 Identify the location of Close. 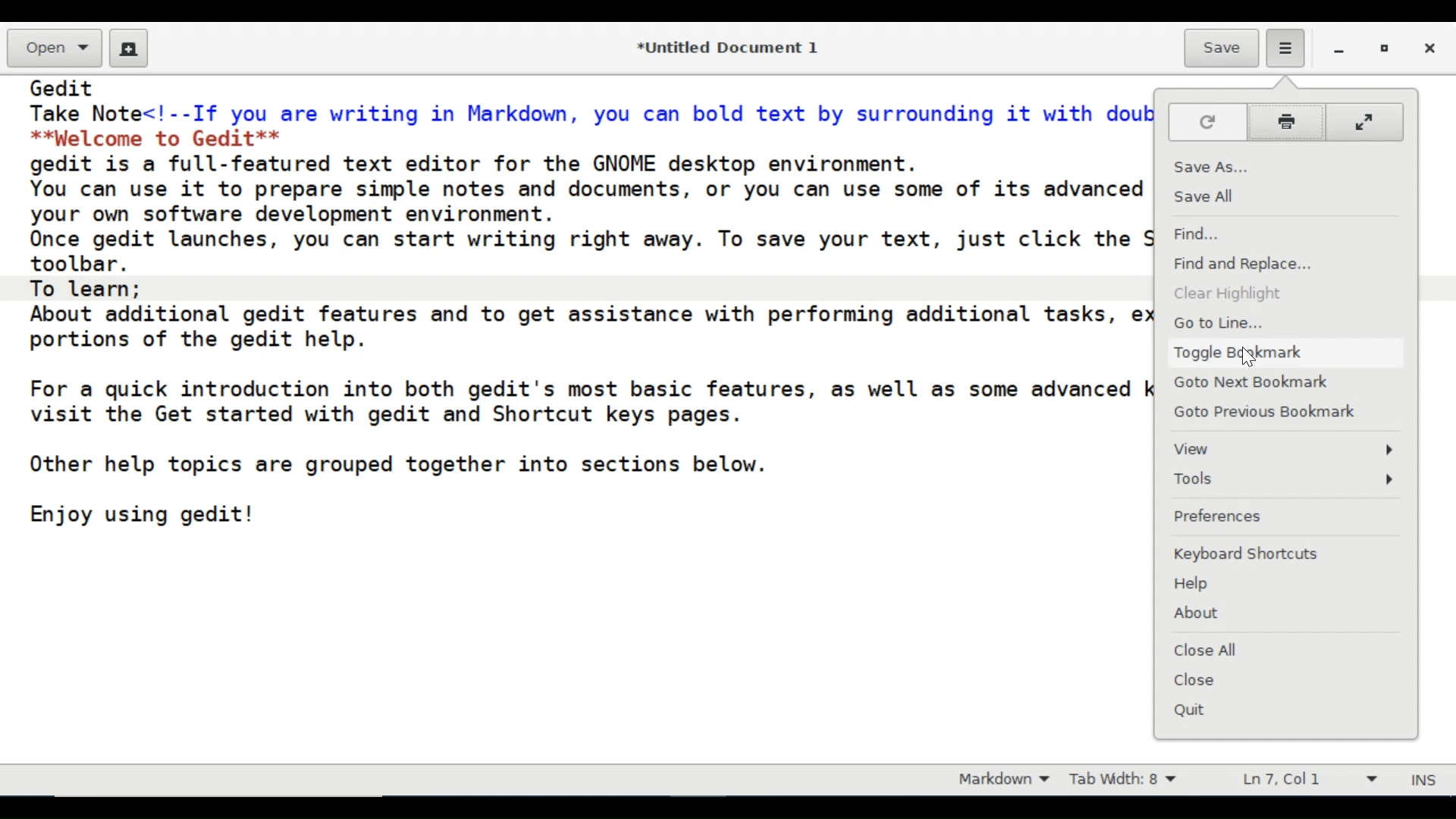
(1200, 683).